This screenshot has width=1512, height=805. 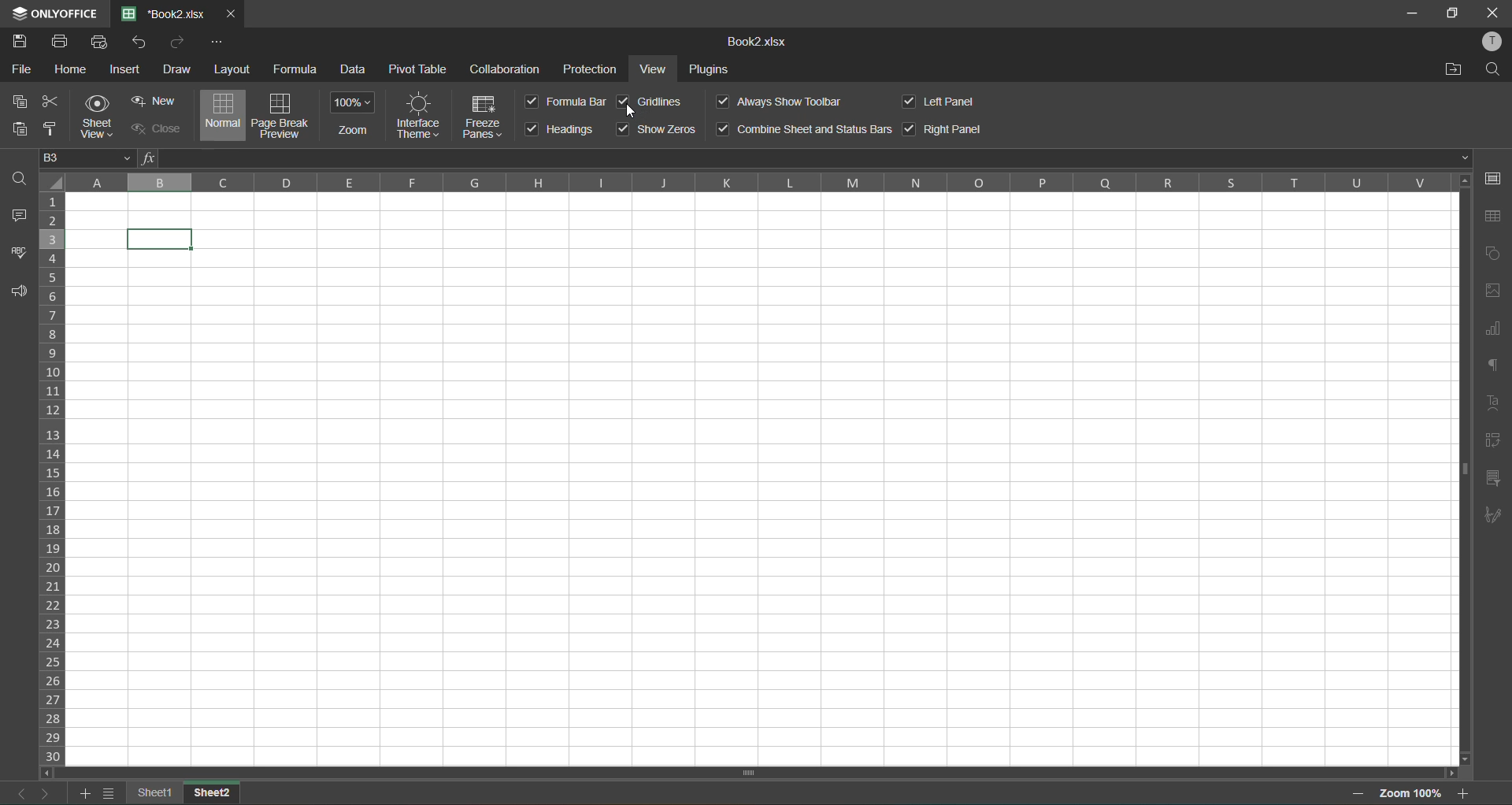 I want to click on data, so click(x=356, y=71).